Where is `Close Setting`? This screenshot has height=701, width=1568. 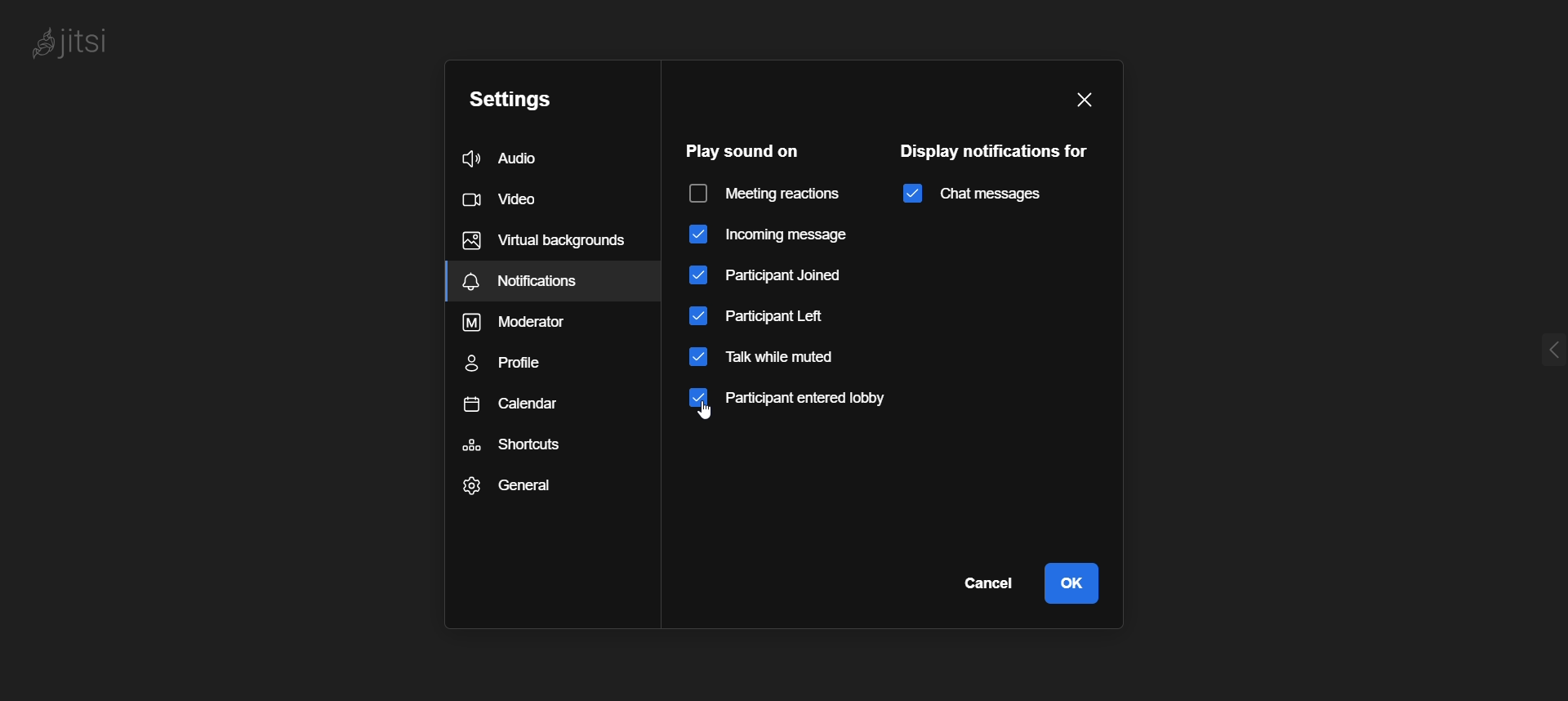
Close Setting is located at coordinates (1084, 100).